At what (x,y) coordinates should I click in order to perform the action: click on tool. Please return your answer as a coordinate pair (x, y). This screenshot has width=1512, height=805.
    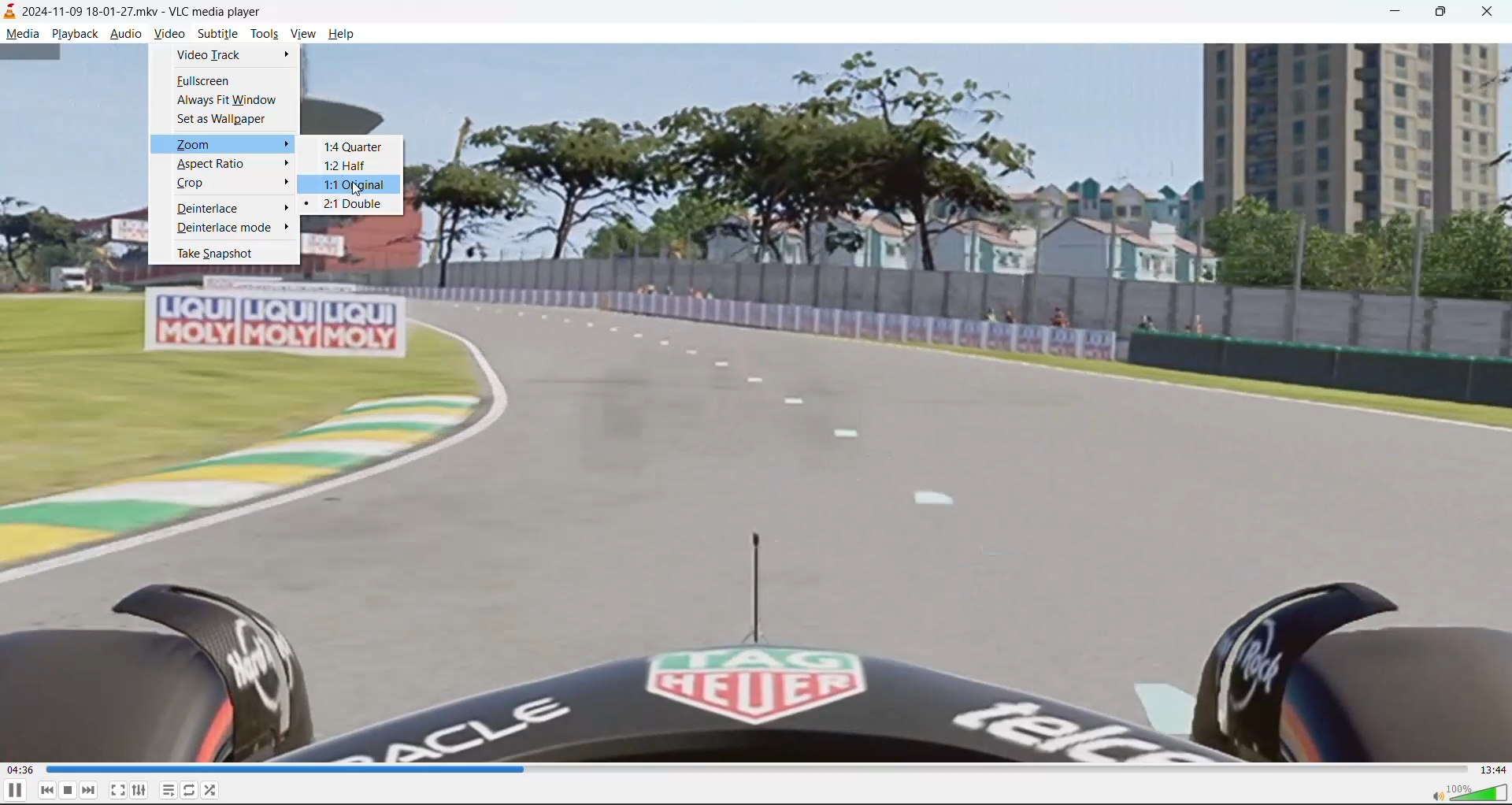
    Looking at the image, I should click on (264, 36).